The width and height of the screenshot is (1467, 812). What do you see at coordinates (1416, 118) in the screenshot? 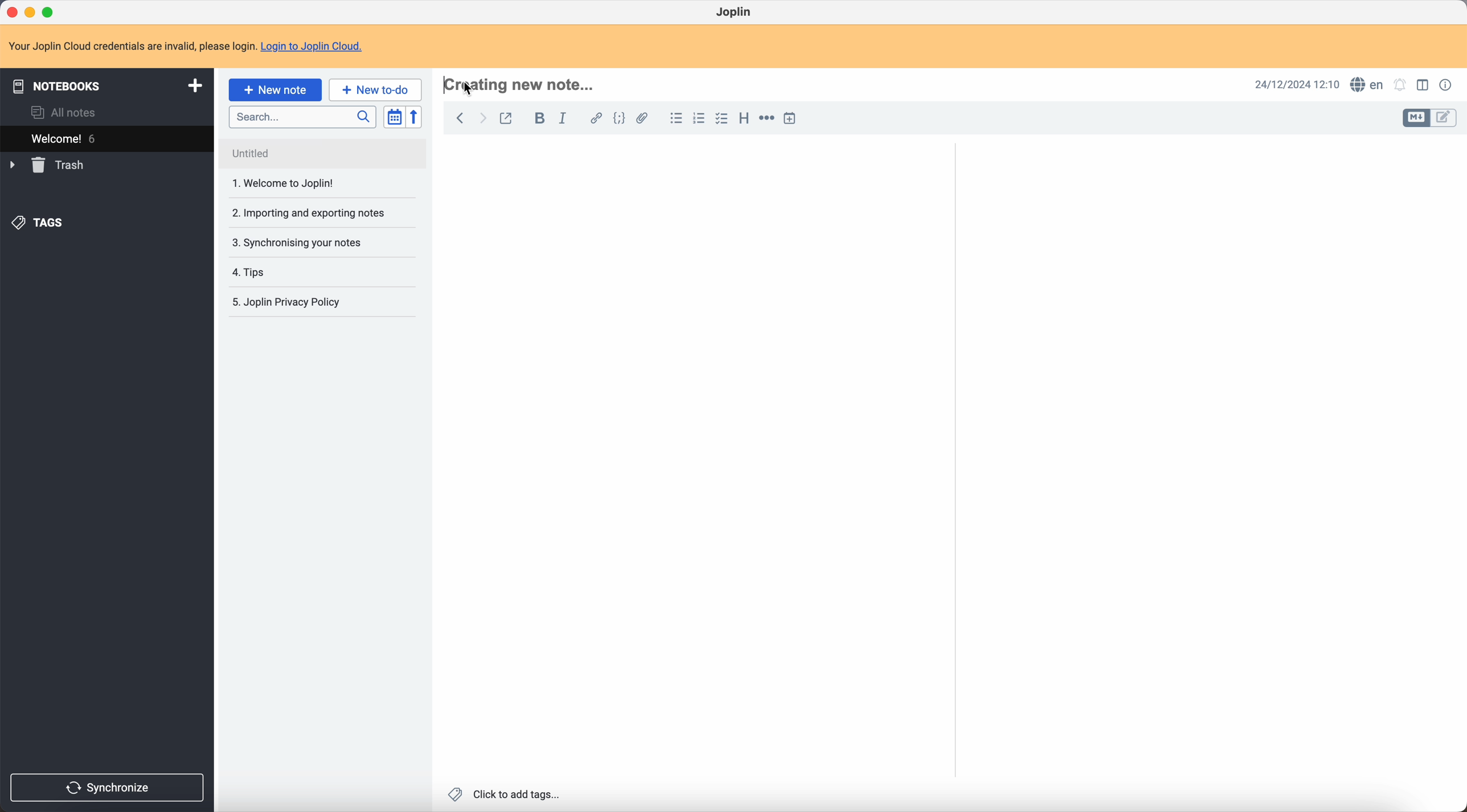
I see `toggle edit layout` at bounding box center [1416, 118].